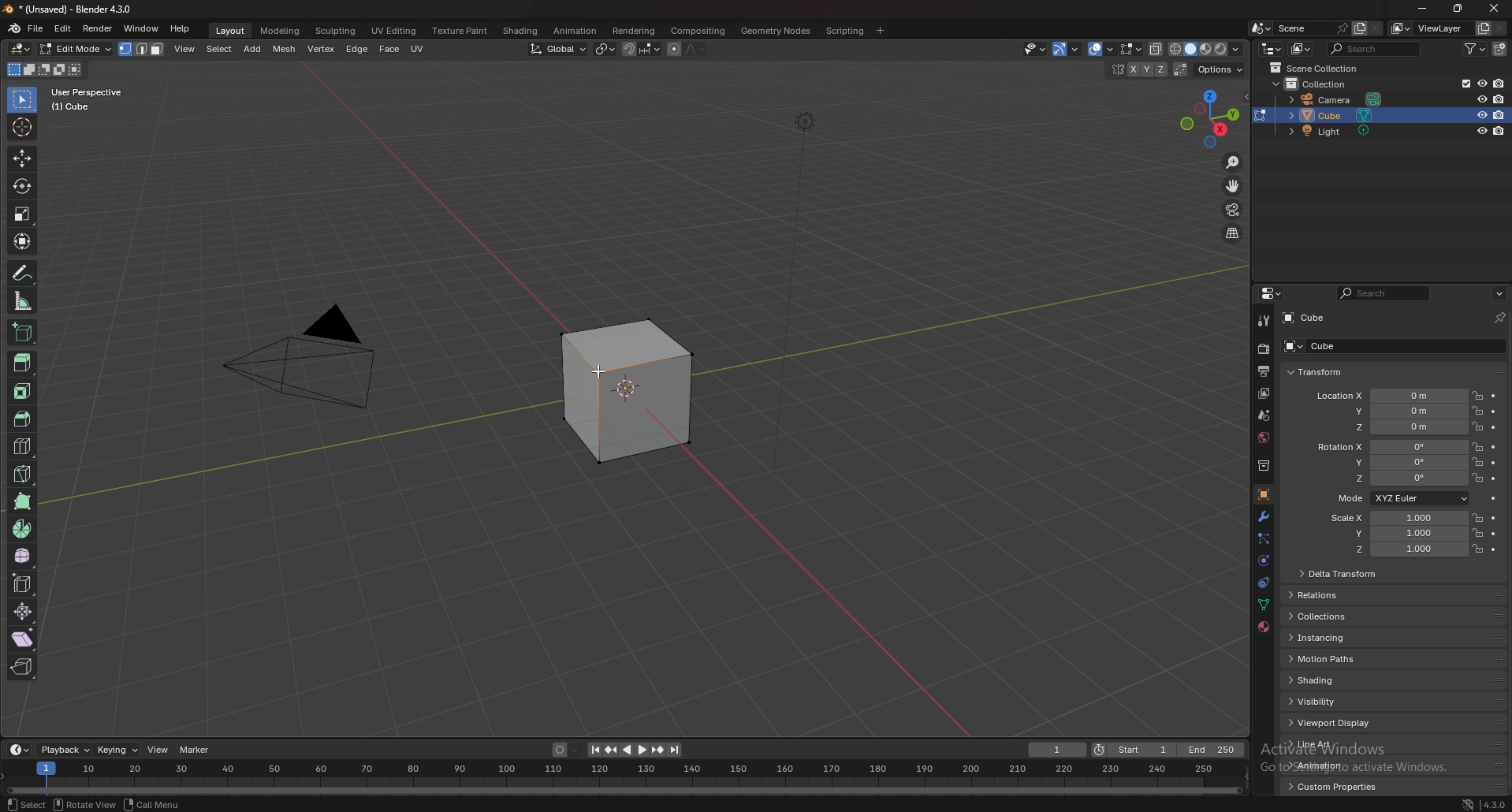 The width and height of the screenshot is (1512, 812). Describe the element at coordinates (1478, 410) in the screenshot. I see `lock location` at that location.